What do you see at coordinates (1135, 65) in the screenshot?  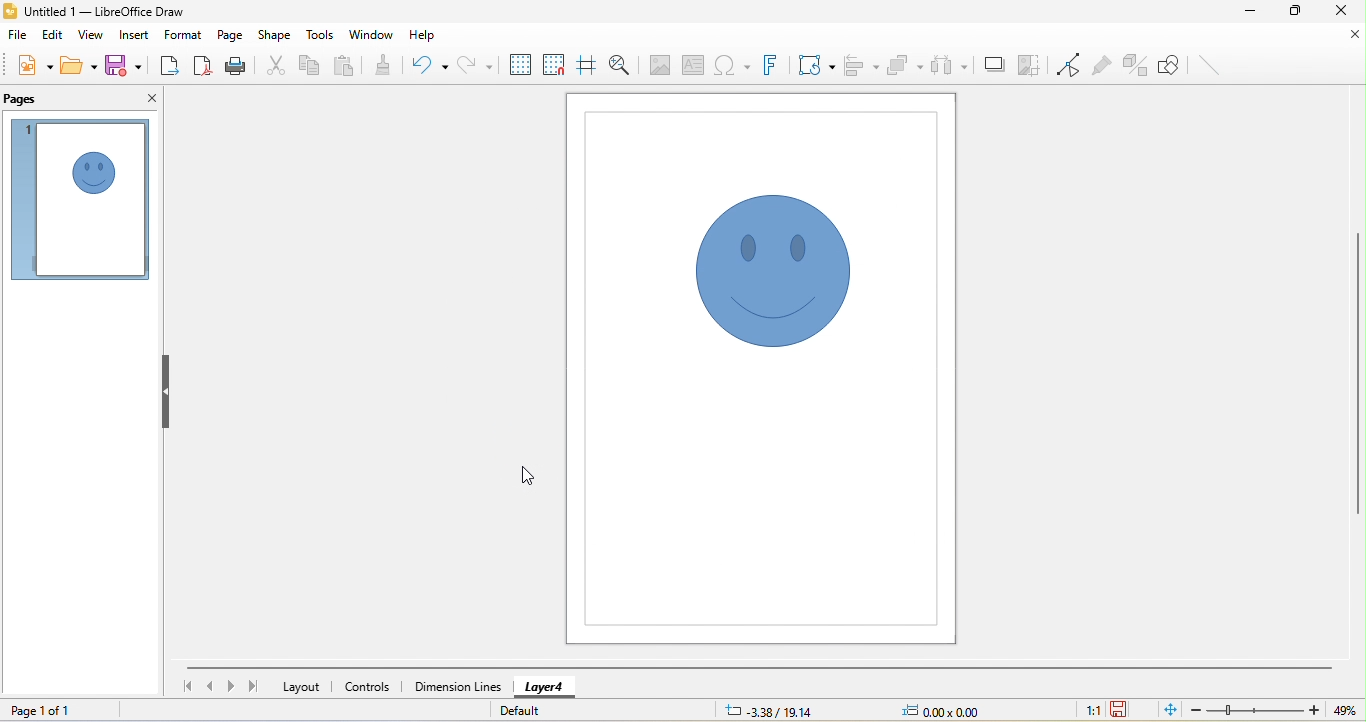 I see `toggle extrusion` at bounding box center [1135, 65].